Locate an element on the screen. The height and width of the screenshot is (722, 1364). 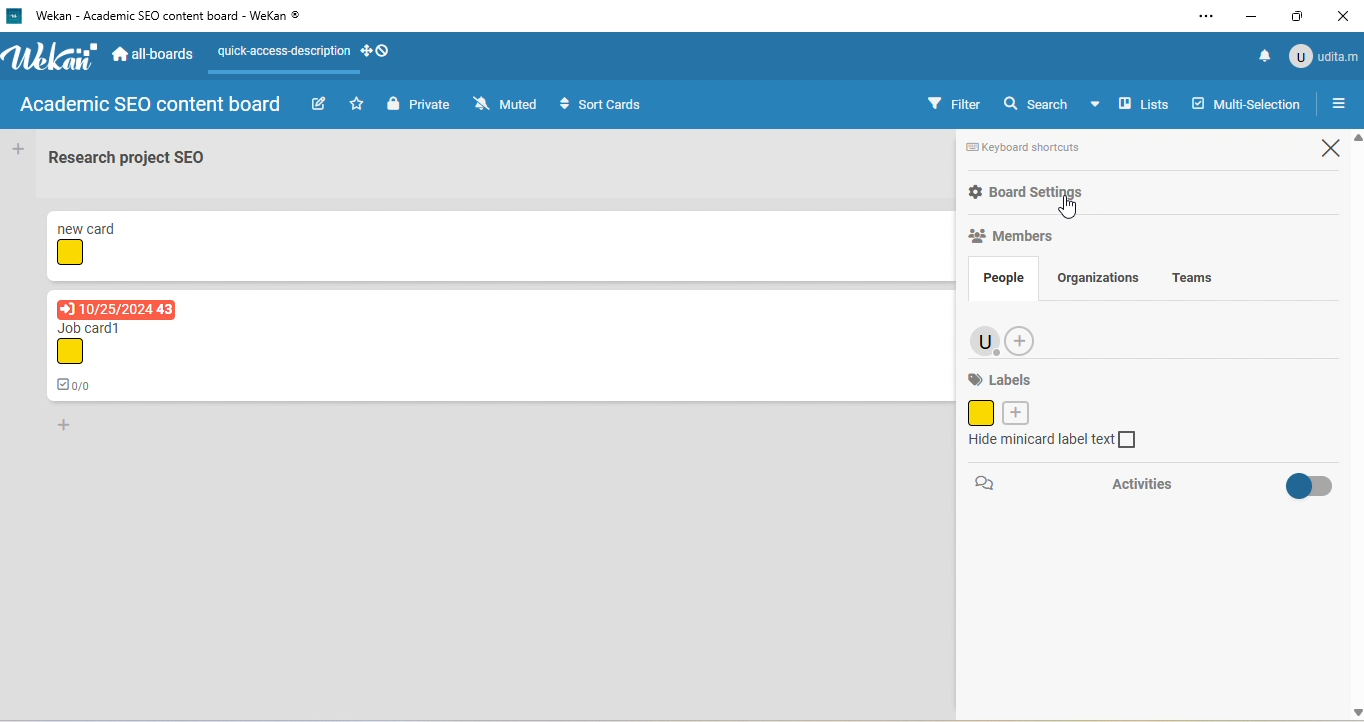
lists is located at coordinates (1145, 105).